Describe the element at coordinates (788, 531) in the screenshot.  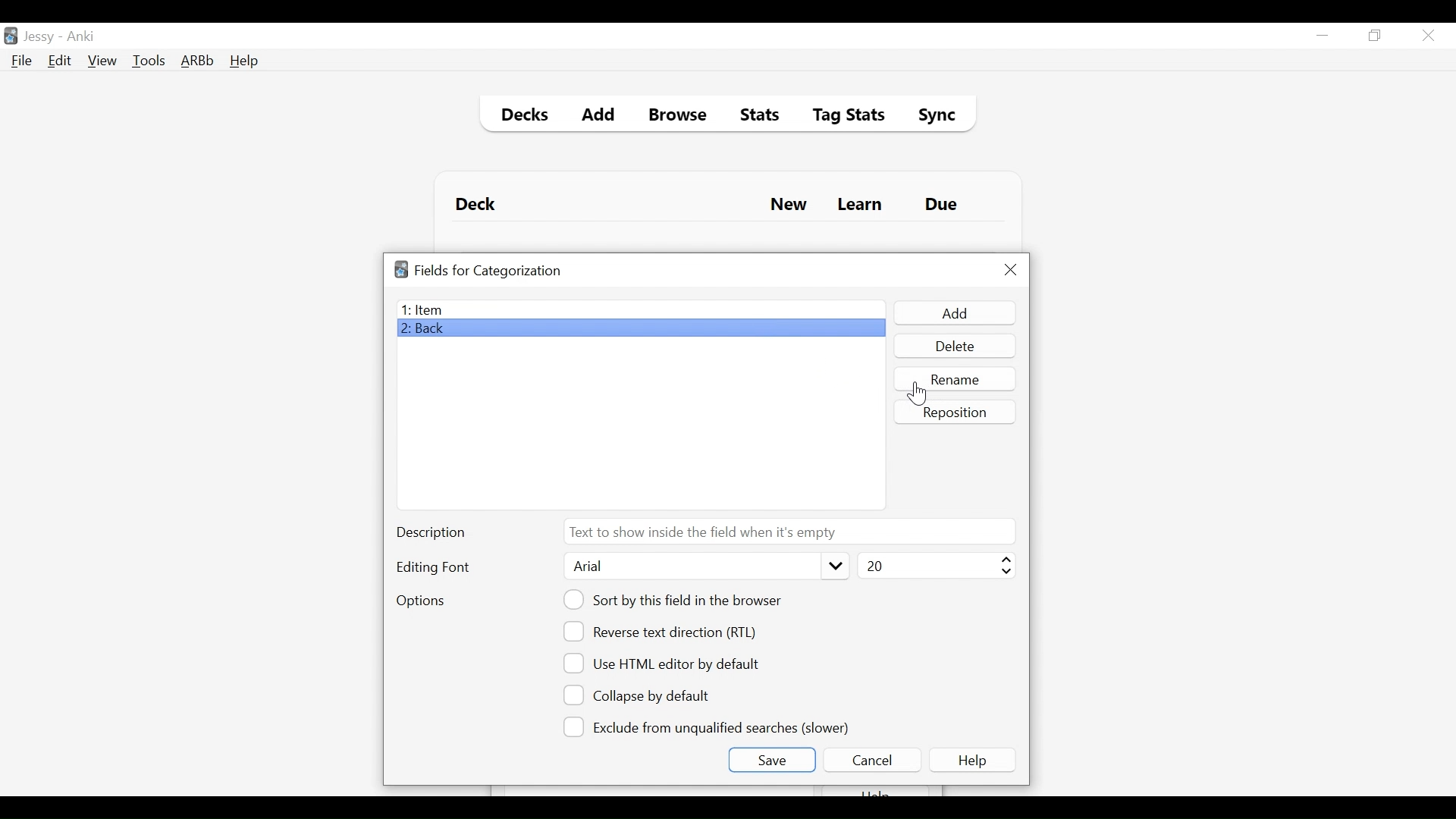
I see `Text to Show inside the field when empty` at that location.